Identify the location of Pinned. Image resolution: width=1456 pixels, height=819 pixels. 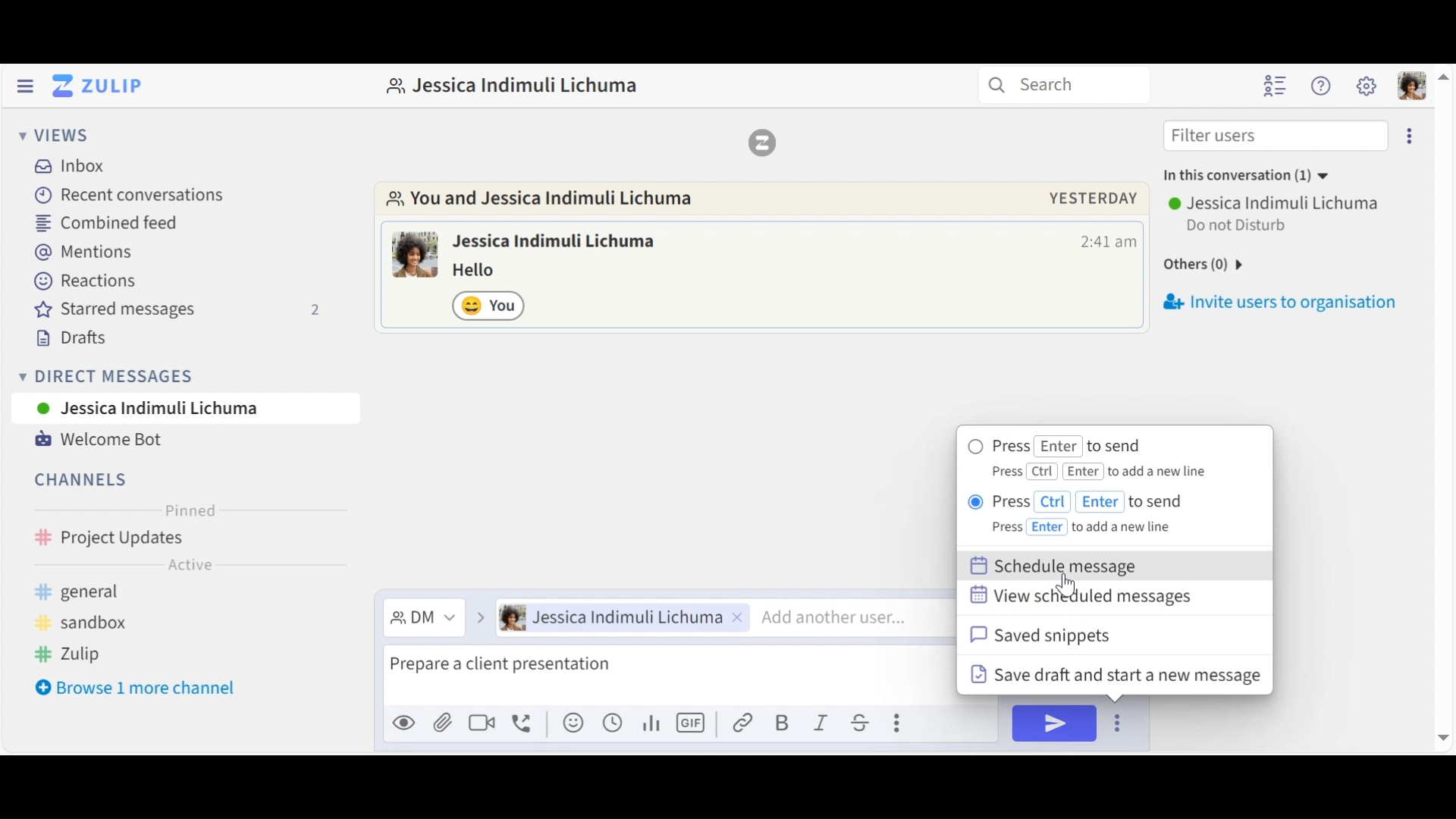
(190, 510).